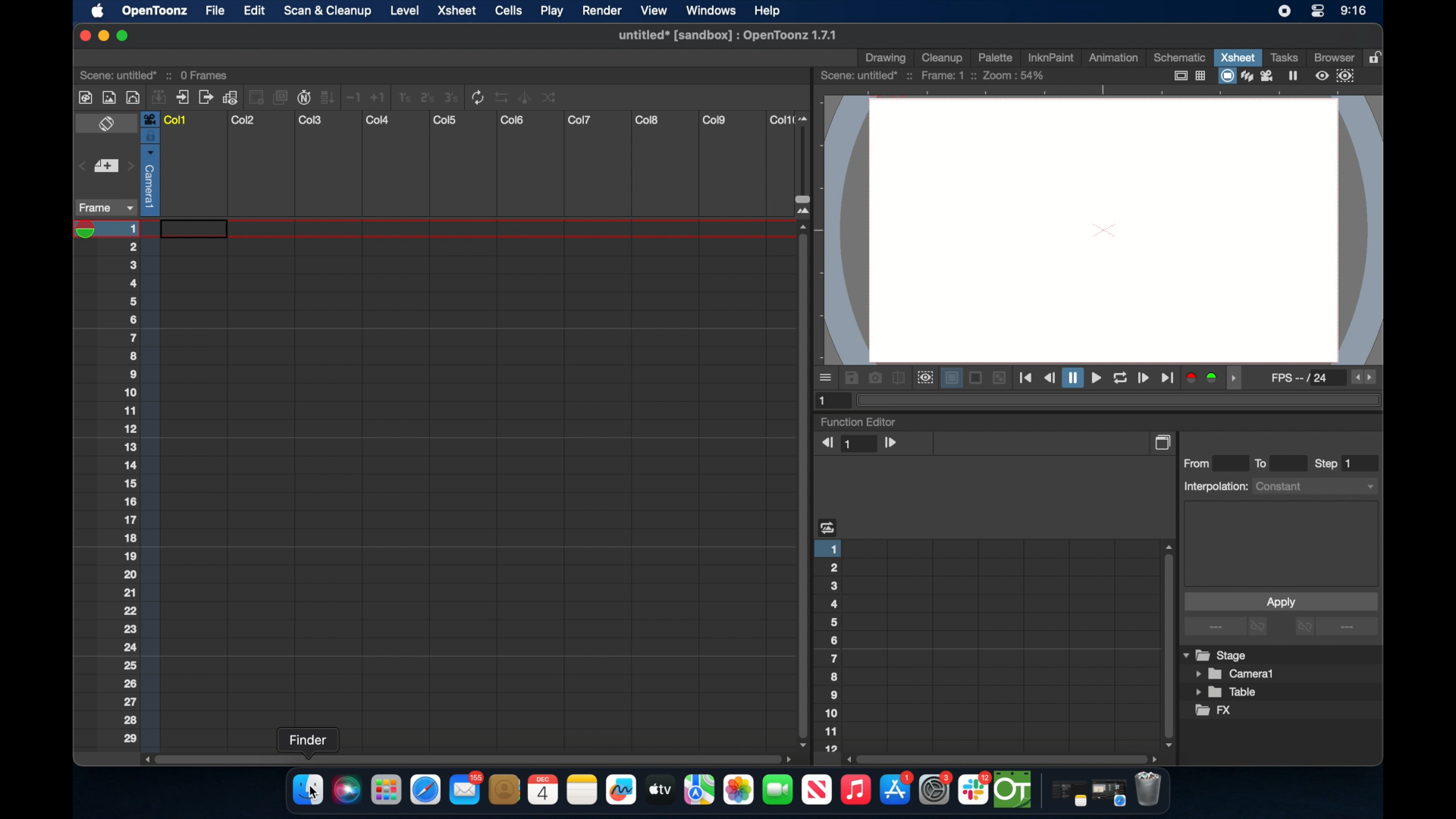 The image size is (1456, 819). I want to click on play, so click(551, 11).